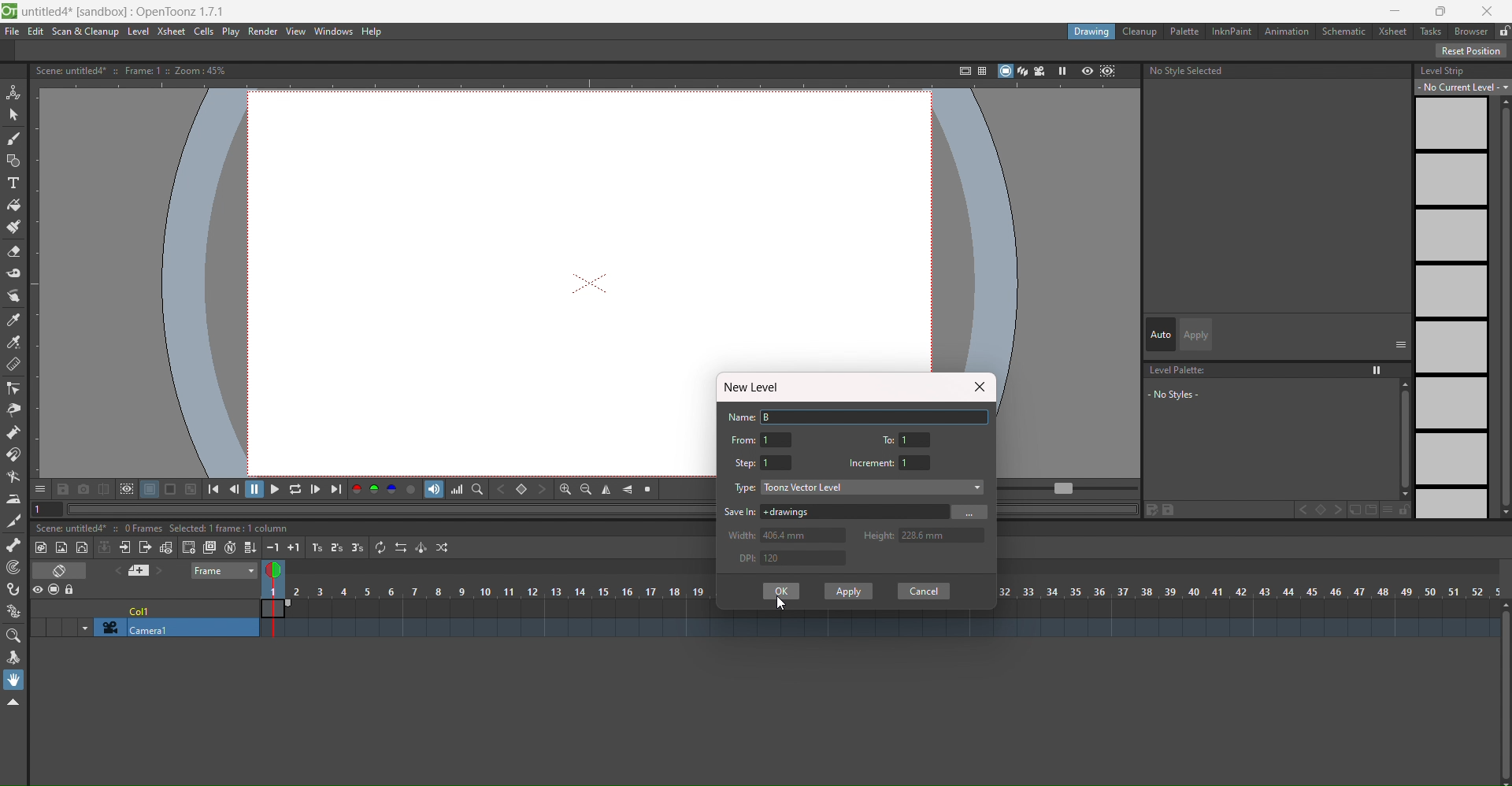 Image resolution: width=1512 pixels, height=786 pixels. Describe the element at coordinates (477, 488) in the screenshot. I see `locator` at that location.